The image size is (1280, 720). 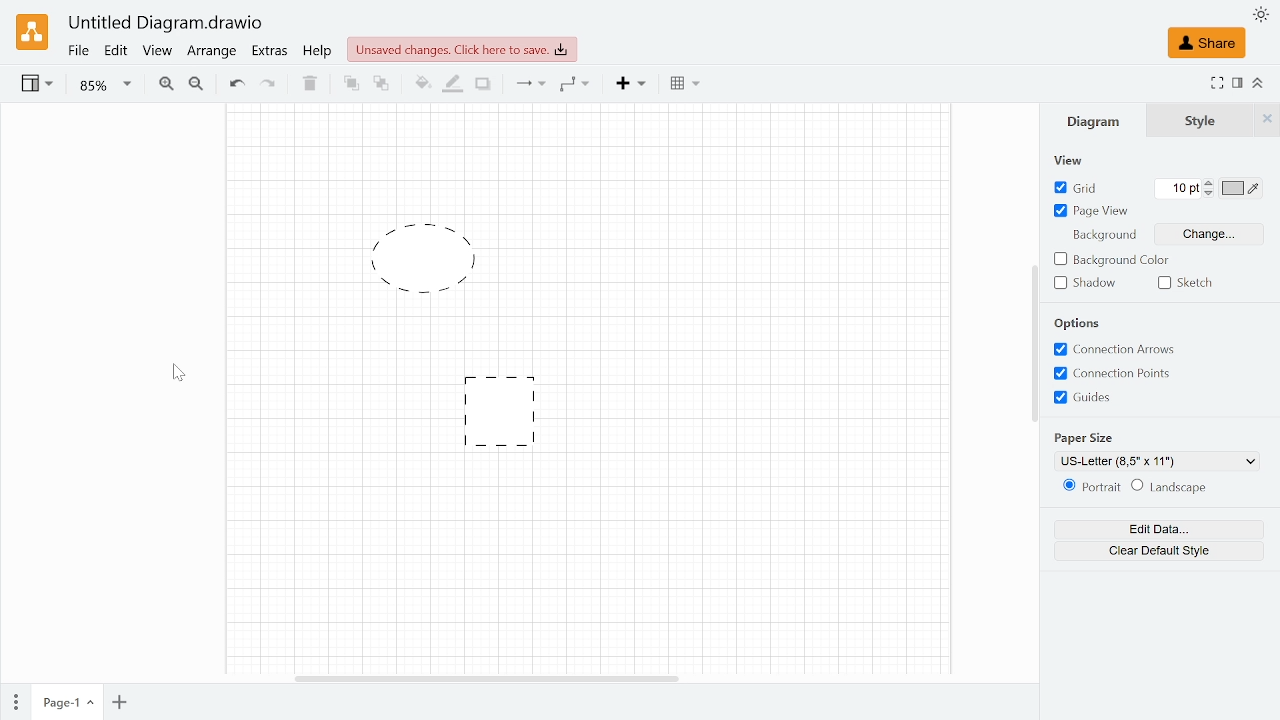 What do you see at coordinates (529, 85) in the screenshot?
I see `Connection` at bounding box center [529, 85].